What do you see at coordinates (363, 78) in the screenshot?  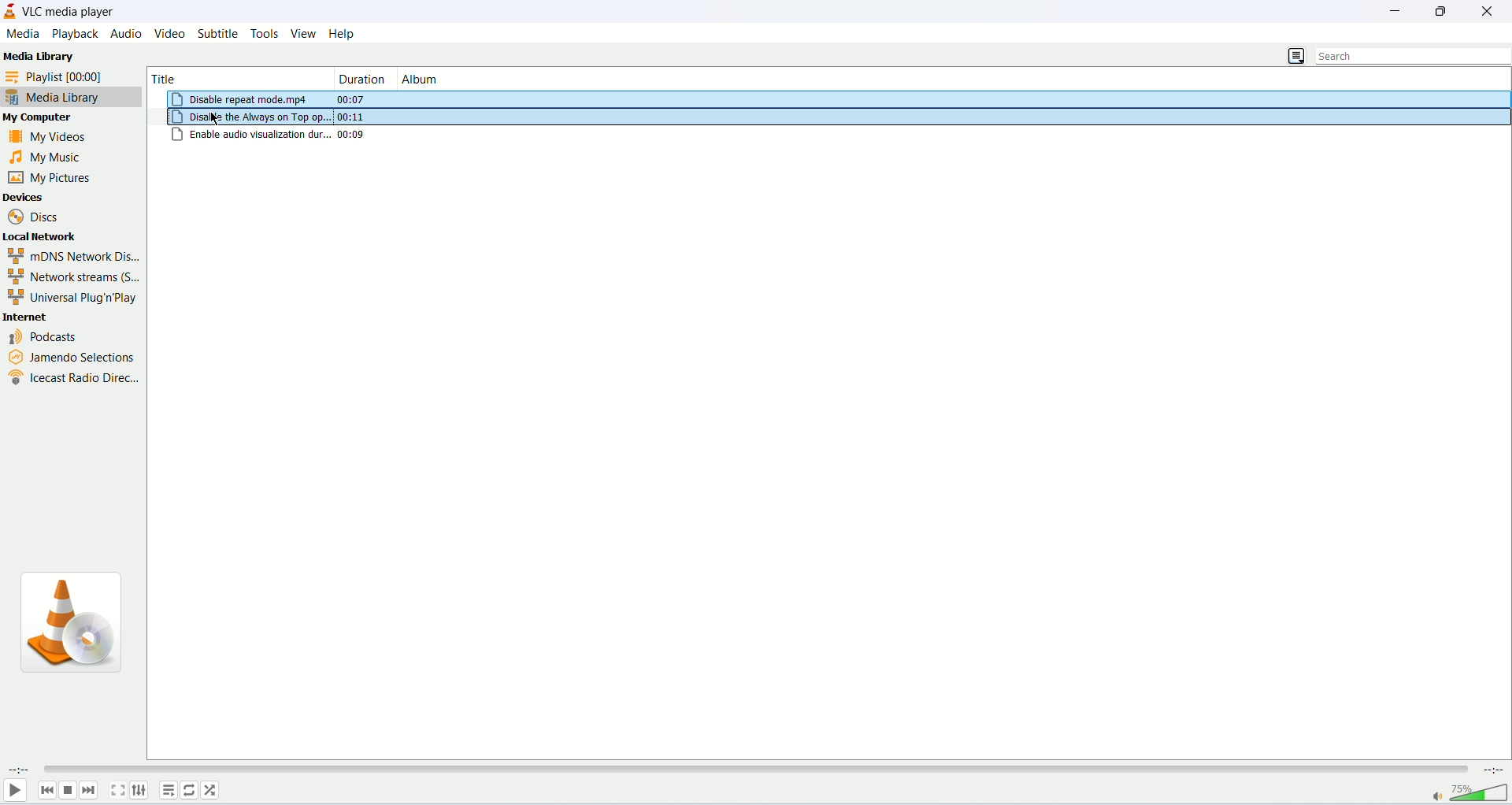 I see `duration` at bounding box center [363, 78].